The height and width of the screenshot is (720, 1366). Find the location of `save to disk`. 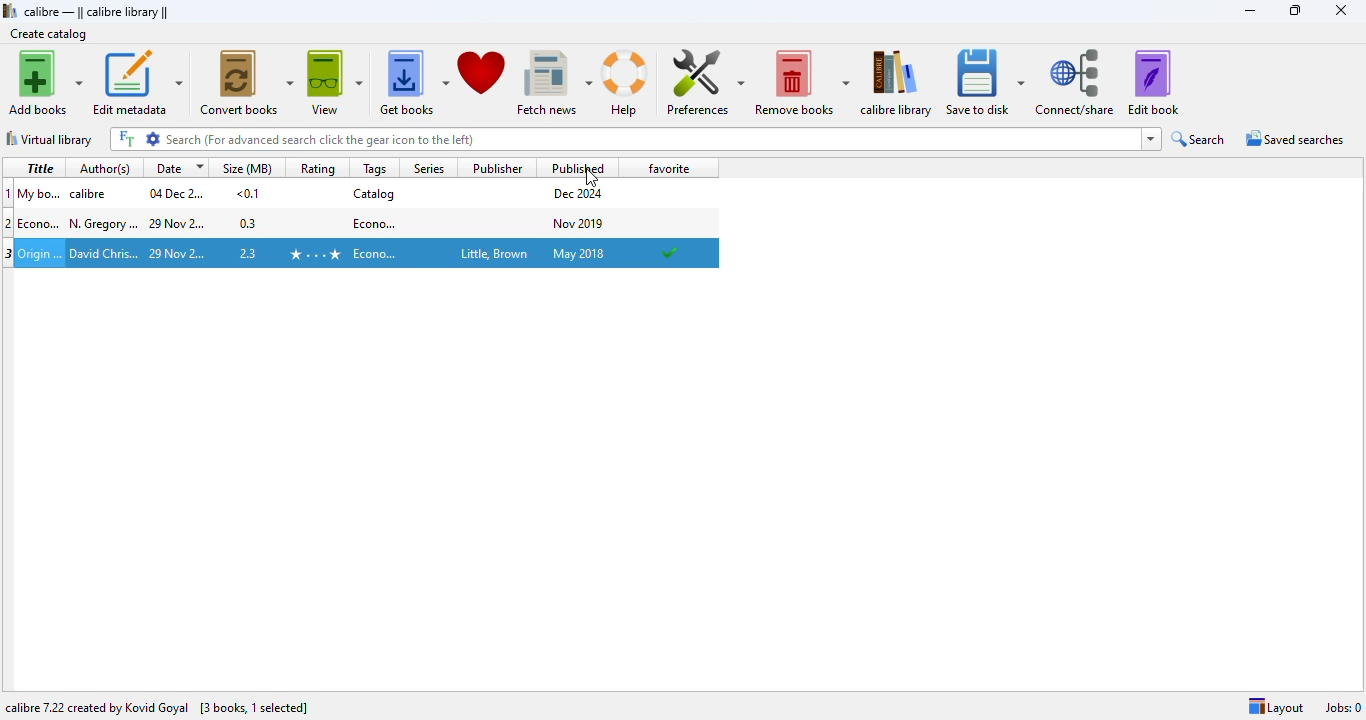

save to disk is located at coordinates (983, 82).